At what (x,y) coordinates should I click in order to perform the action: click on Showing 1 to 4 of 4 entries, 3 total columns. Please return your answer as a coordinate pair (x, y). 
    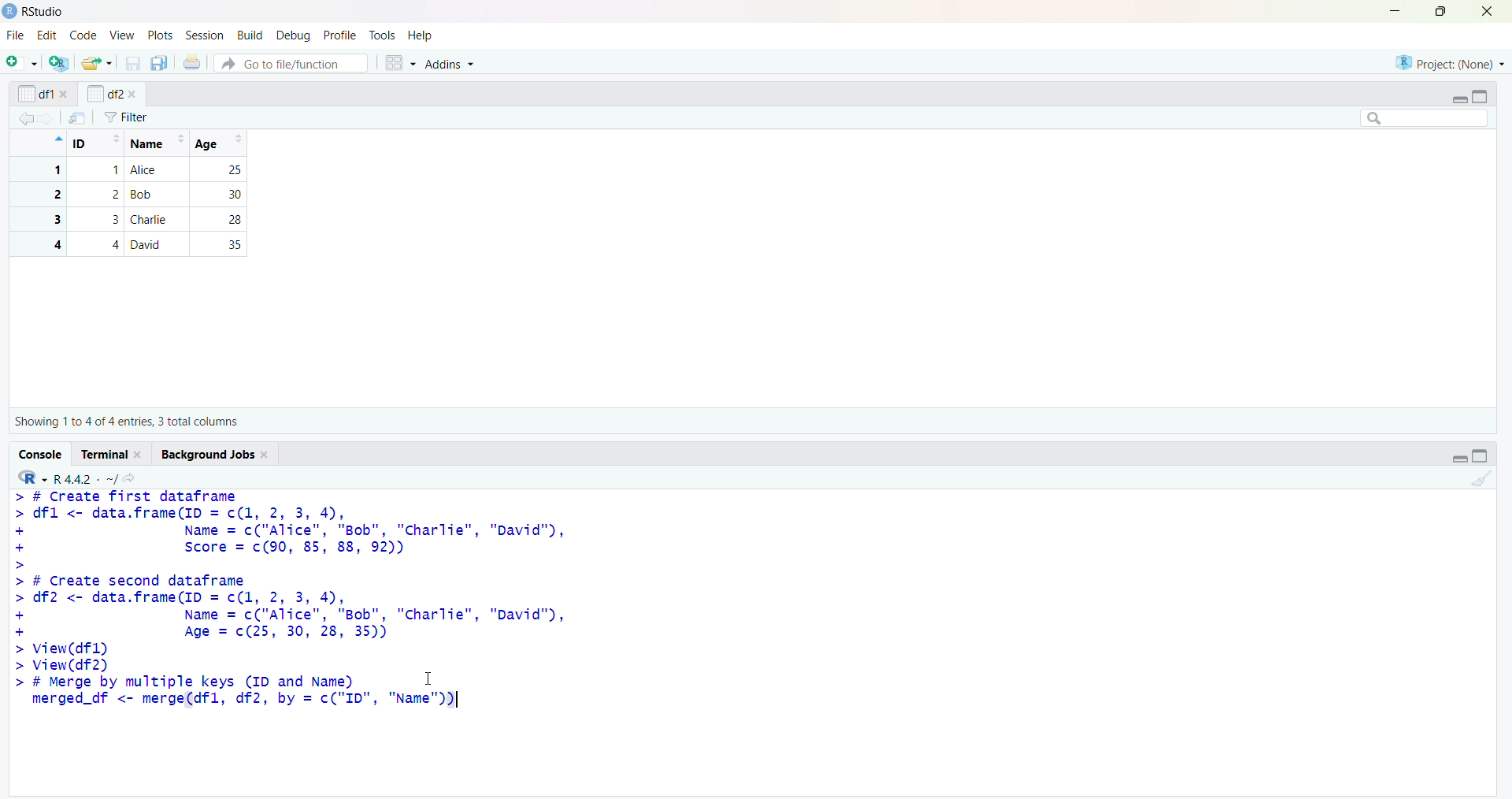
    Looking at the image, I should click on (126, 422).